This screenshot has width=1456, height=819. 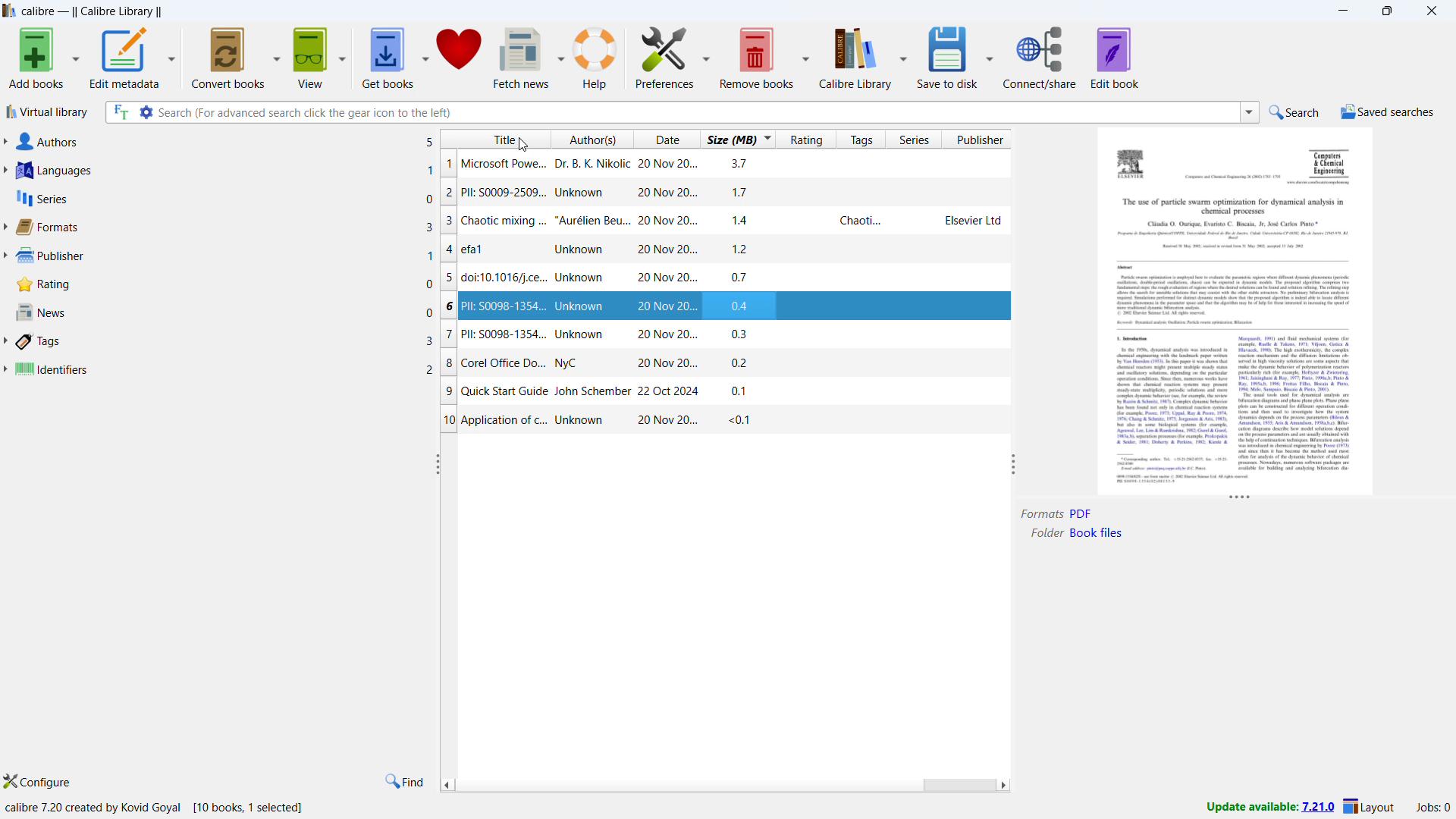 I want to click on resize, so click(x=1014, y=465).